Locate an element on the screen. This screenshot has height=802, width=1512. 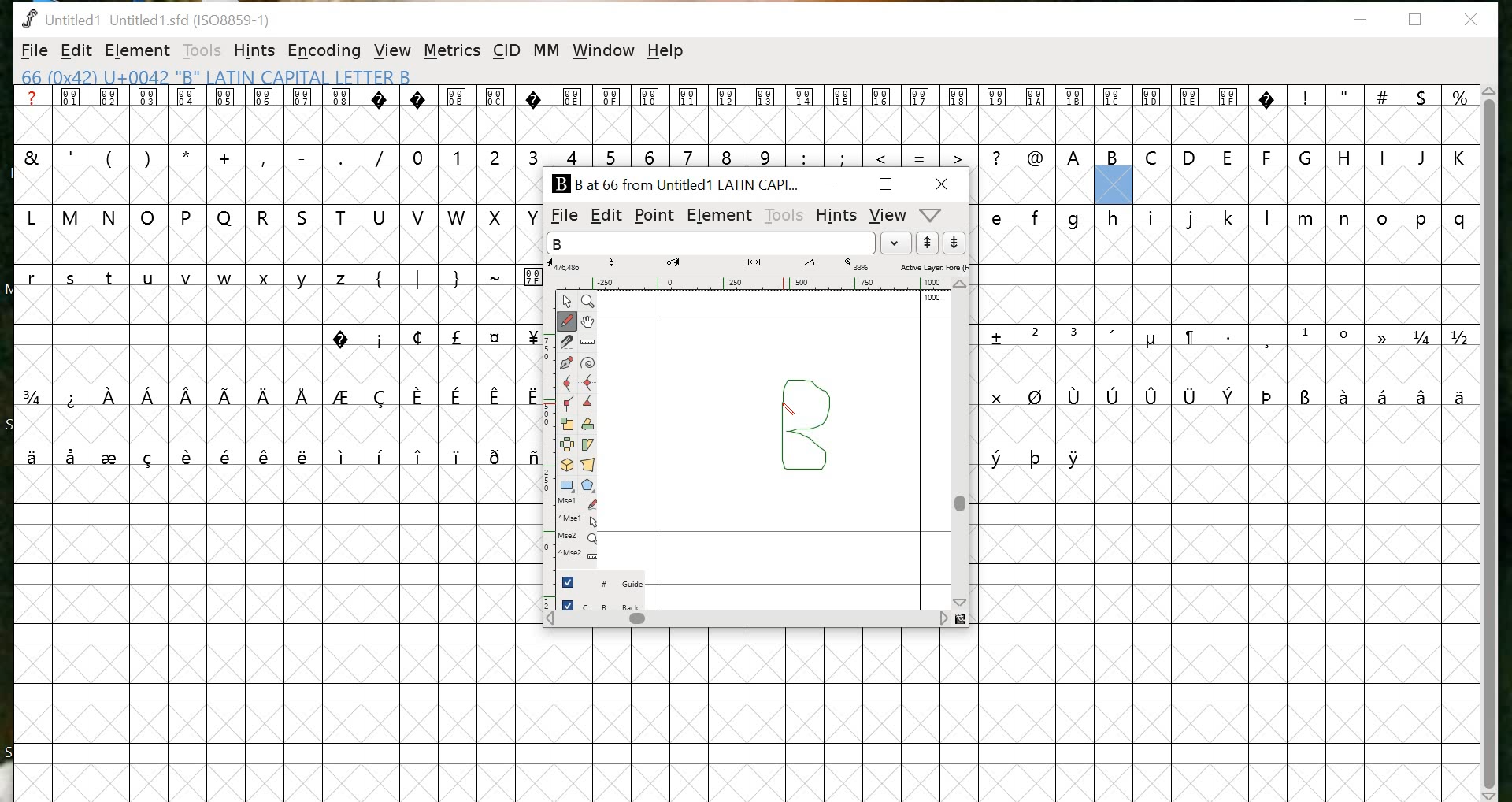
100 is located at coordinates (932, 301).